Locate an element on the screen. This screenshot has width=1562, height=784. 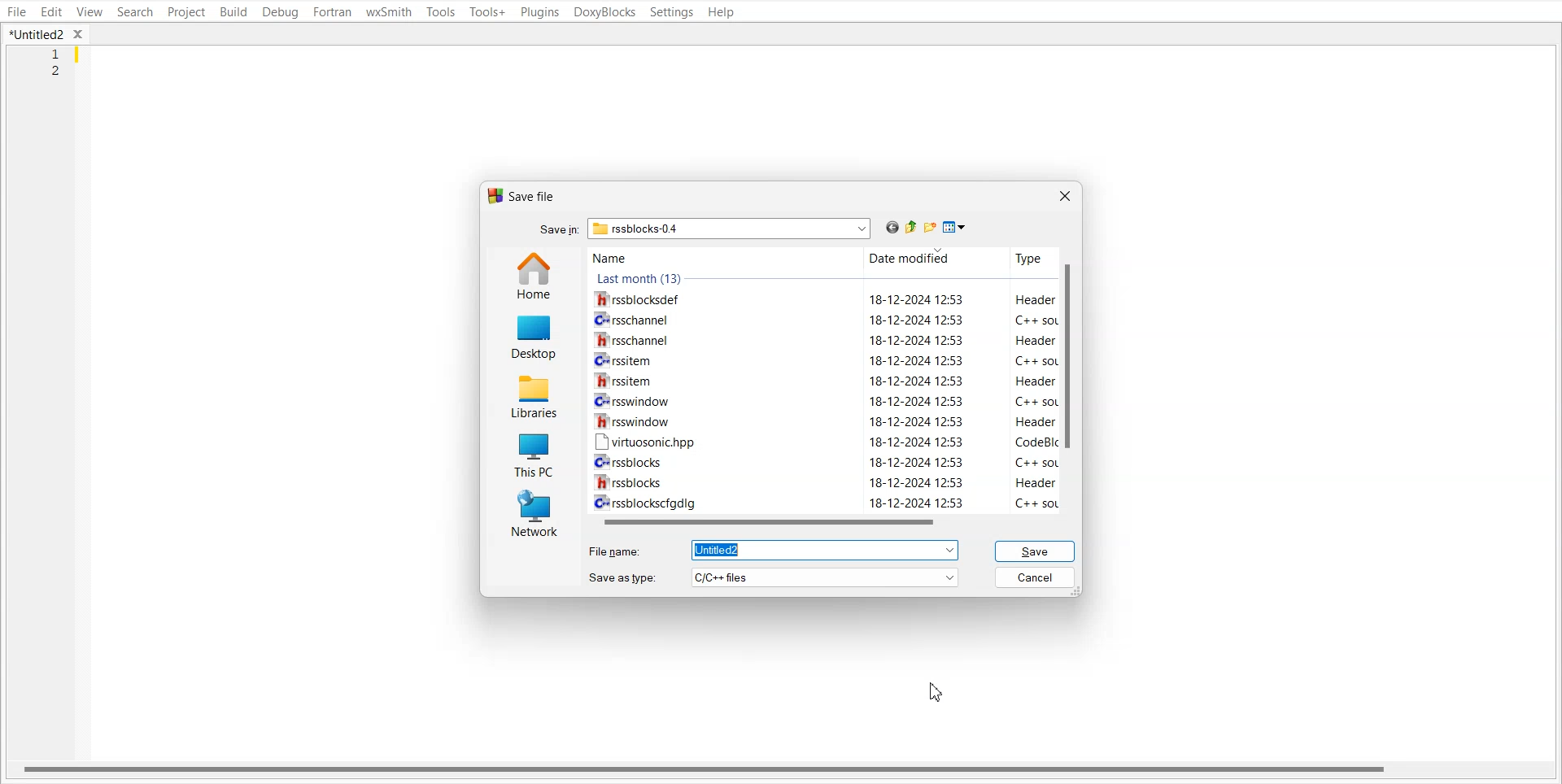
This PC is located at coordinates (531, 455).